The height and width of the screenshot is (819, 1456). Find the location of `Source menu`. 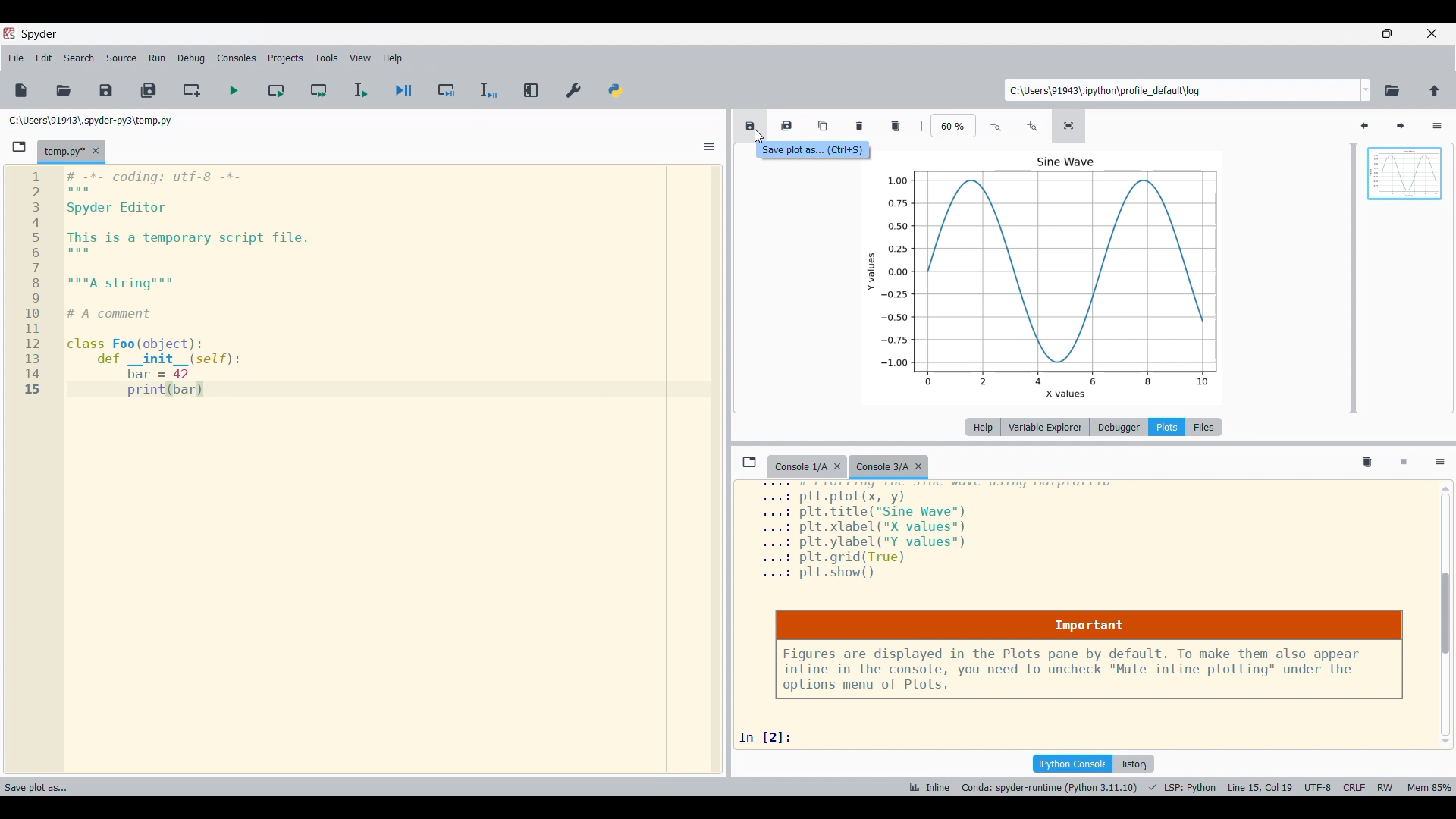

Source menu is located at coordinates (121, 58).